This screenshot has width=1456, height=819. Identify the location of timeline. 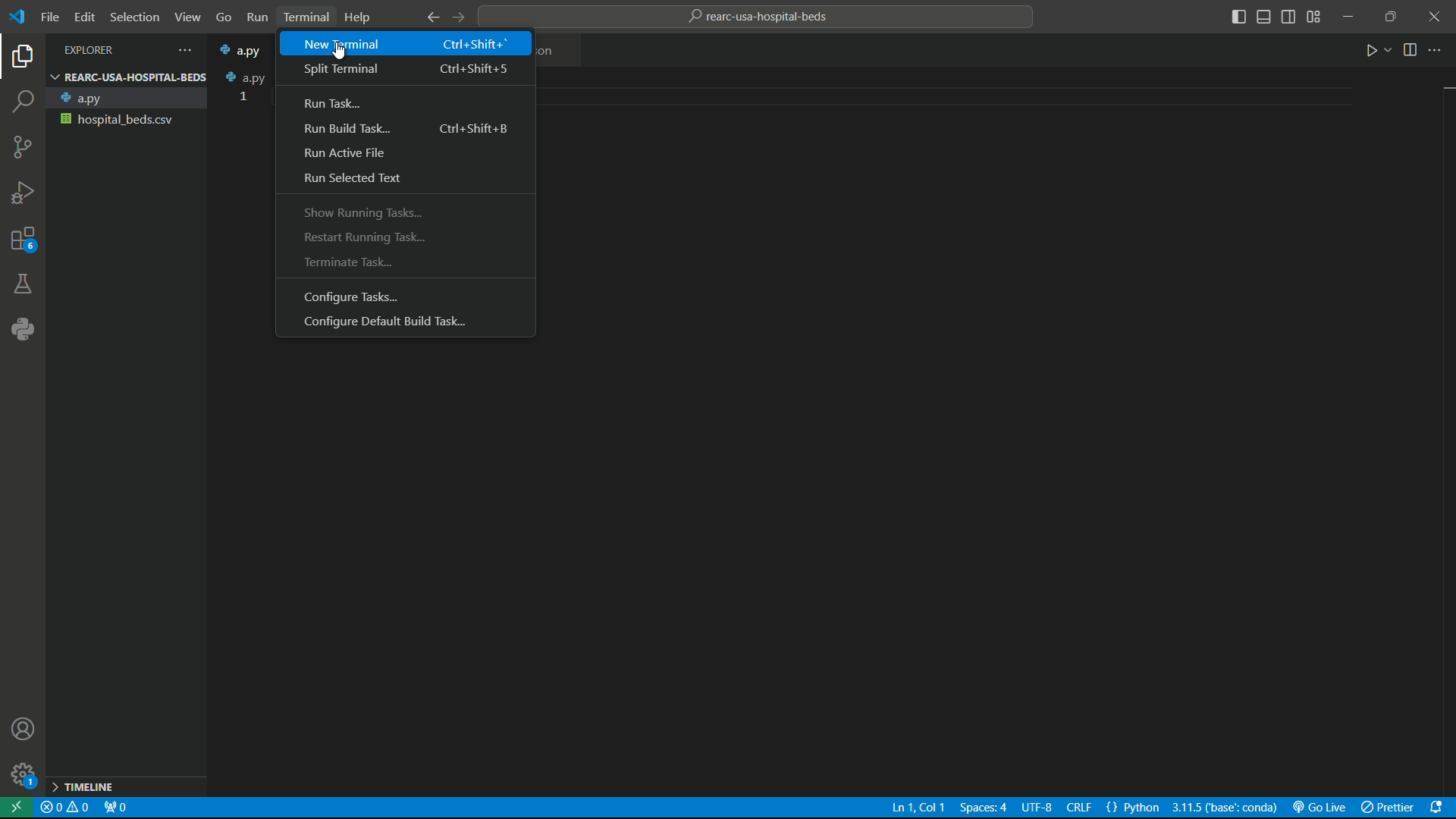
(126, 788).